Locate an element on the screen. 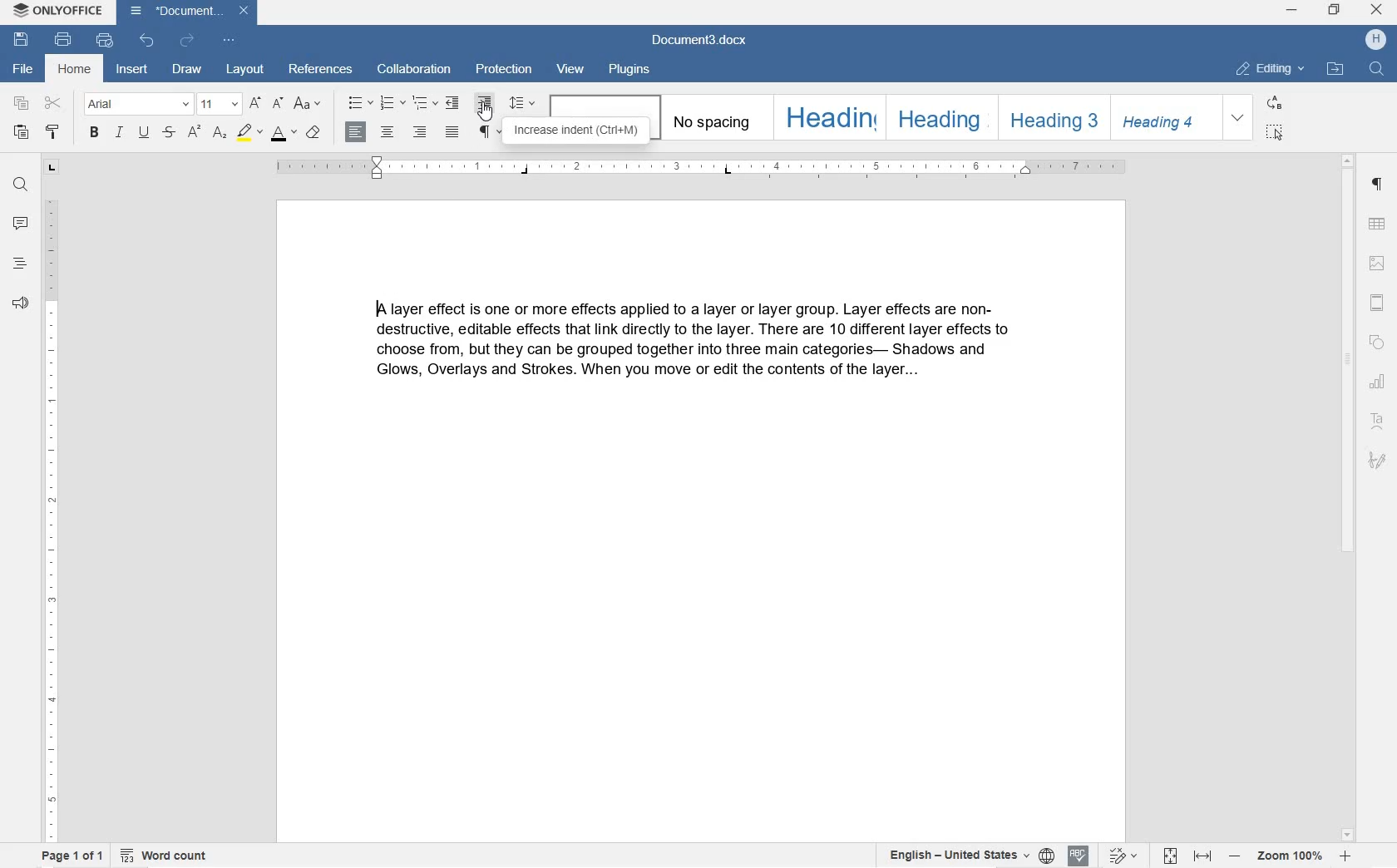  QUICK PRINT is located at coordinates (104, 40).